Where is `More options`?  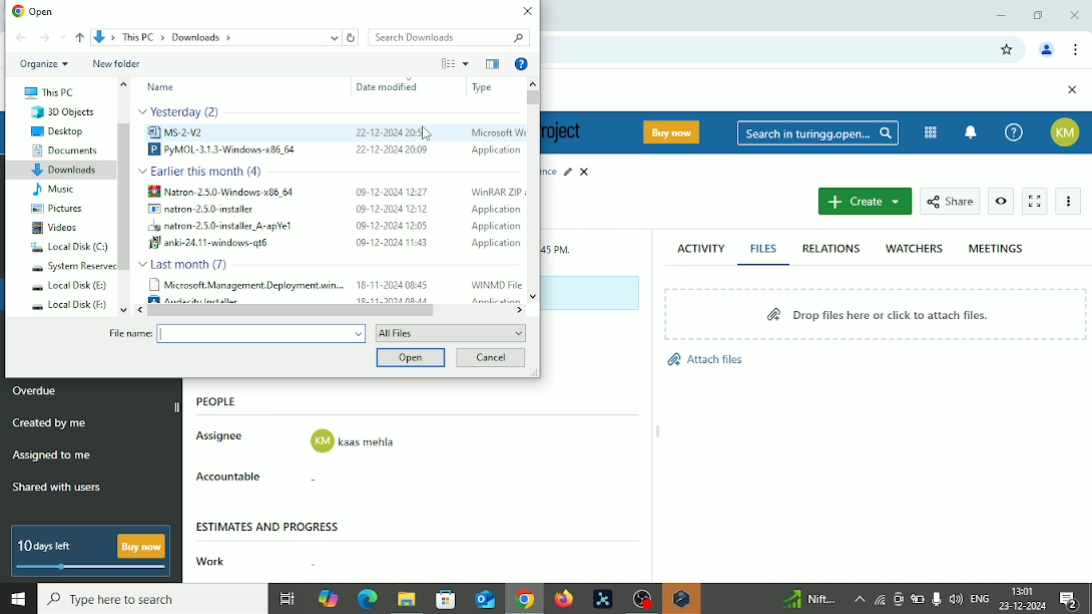
More options is located at coordinates (466, 63).